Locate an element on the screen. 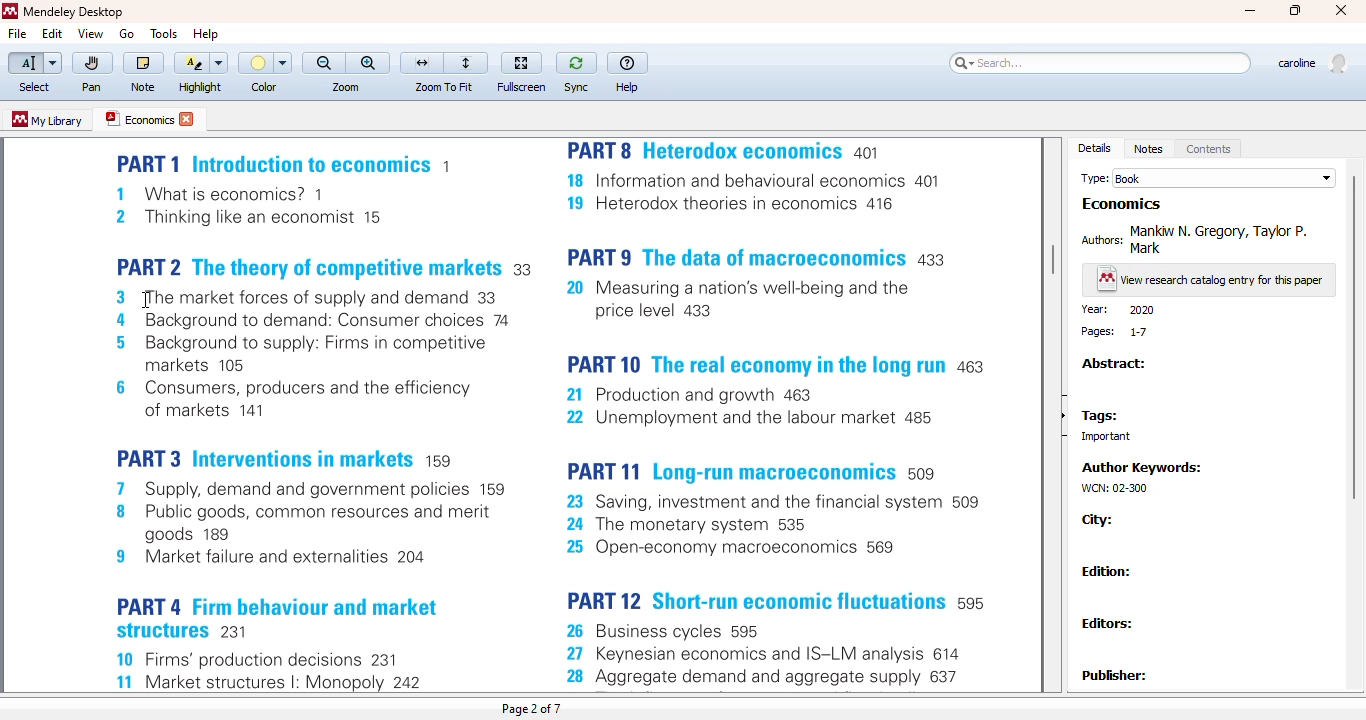  help is located at coordinates (627, 62).